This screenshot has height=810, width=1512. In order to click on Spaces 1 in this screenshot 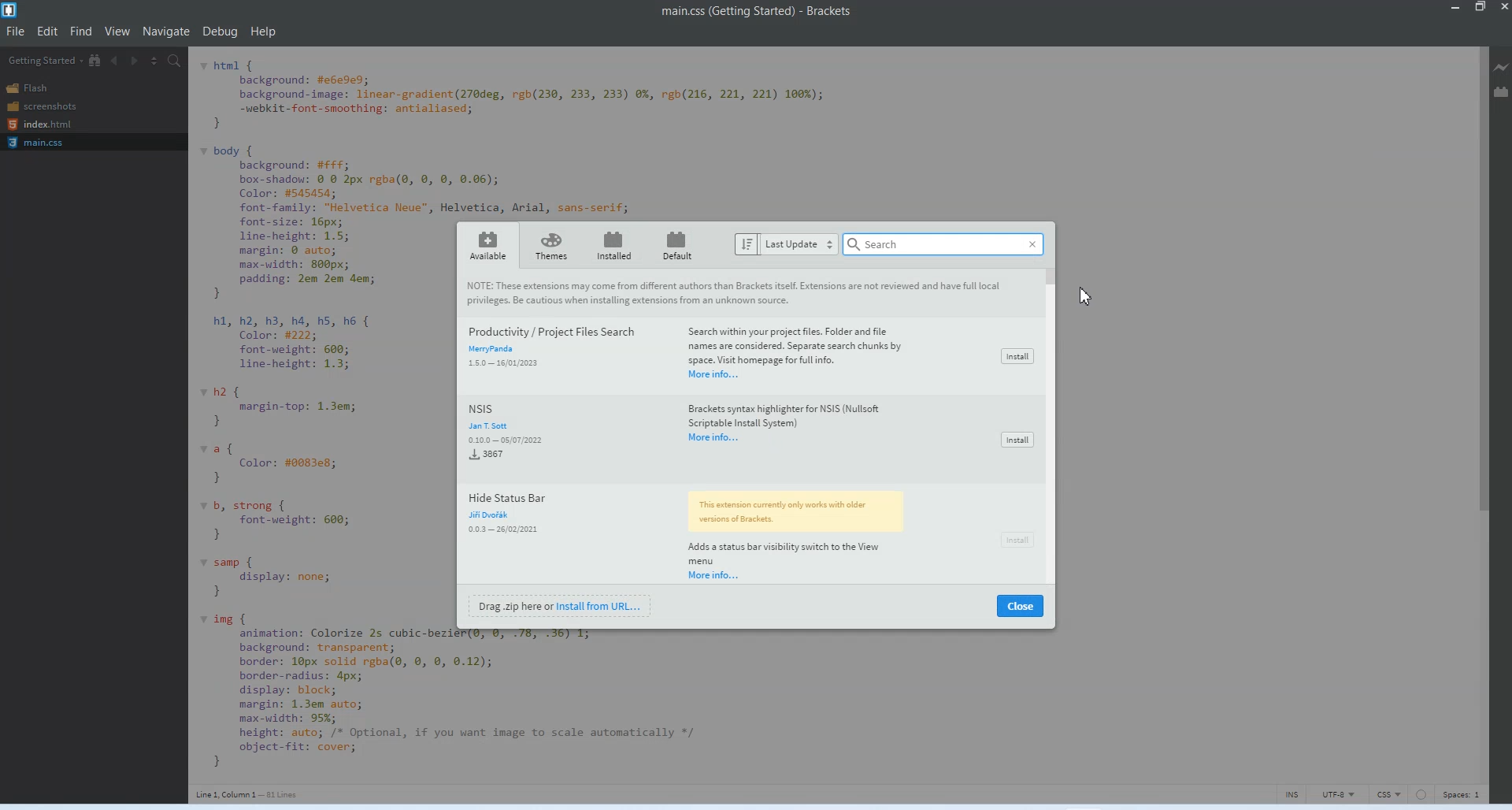, I will do `click(1462, 794)`.